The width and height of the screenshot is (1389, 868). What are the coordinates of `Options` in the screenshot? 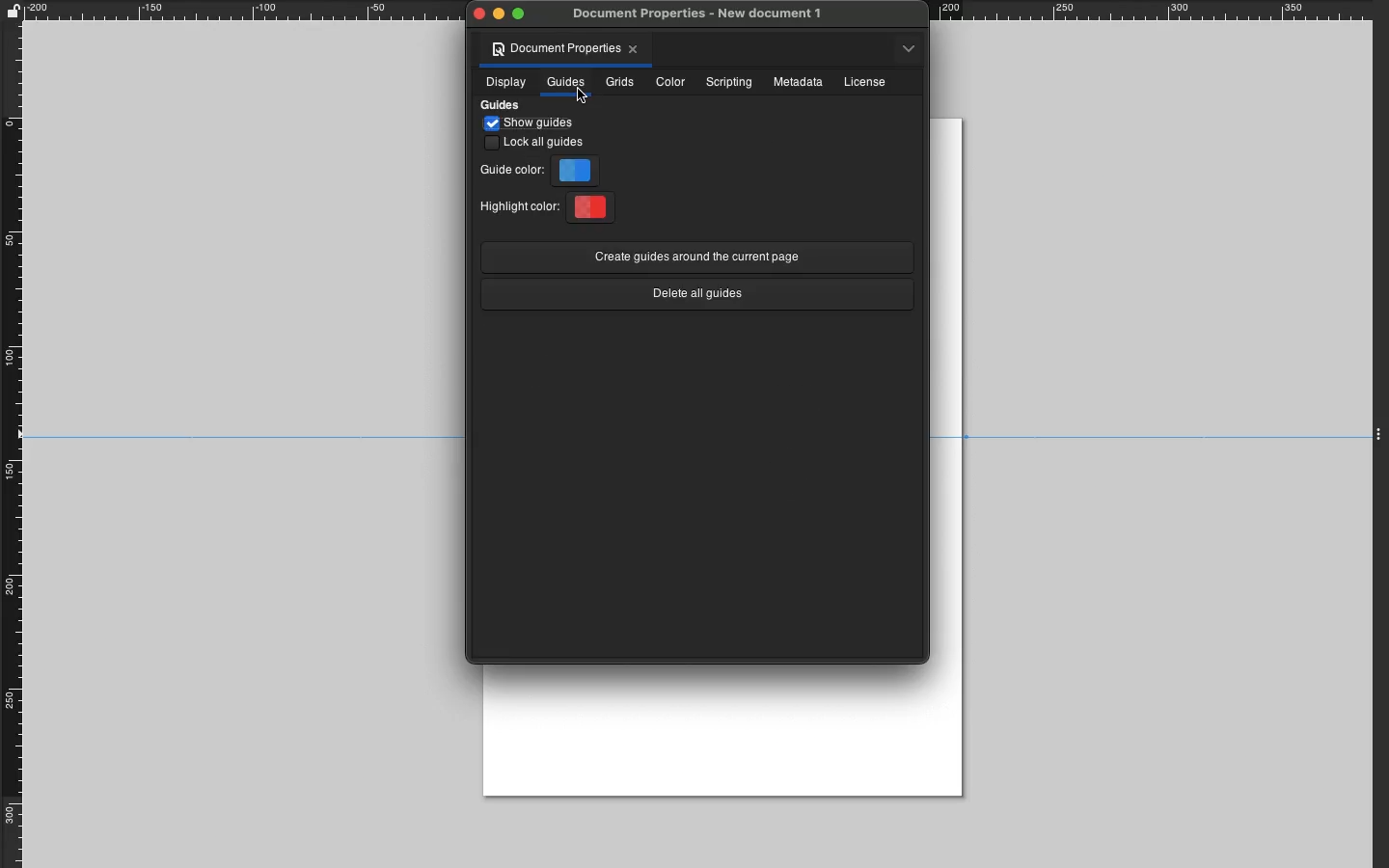 It's located at (910, 47).